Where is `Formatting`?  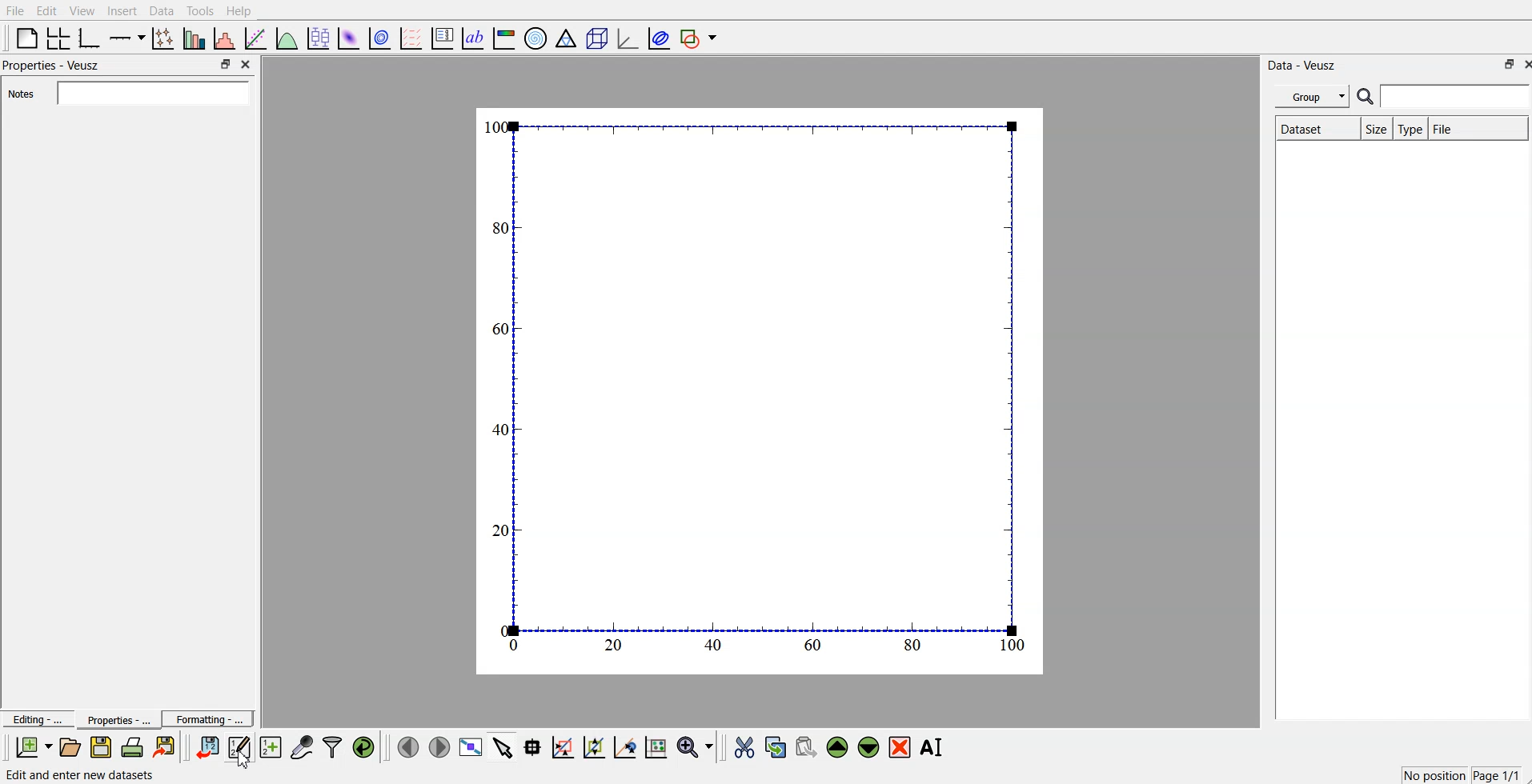 Formatting is located at coordinates (208, 717).